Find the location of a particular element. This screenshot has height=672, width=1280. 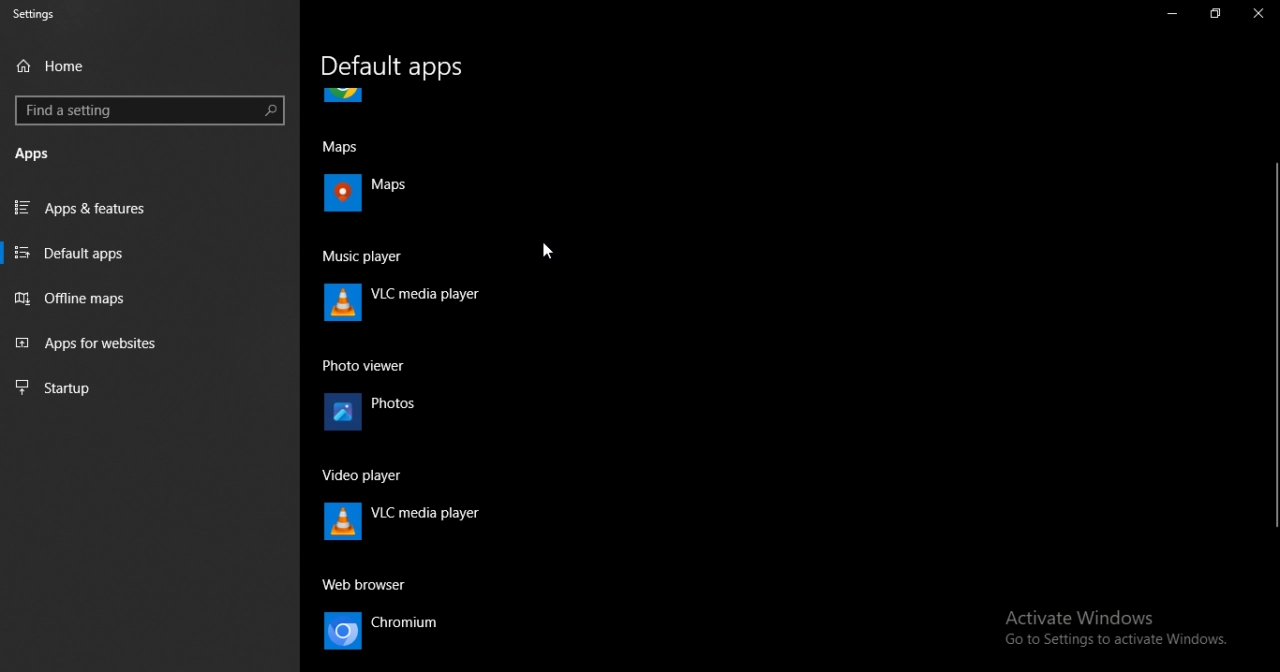

maps is located at coordinates (369, 170).